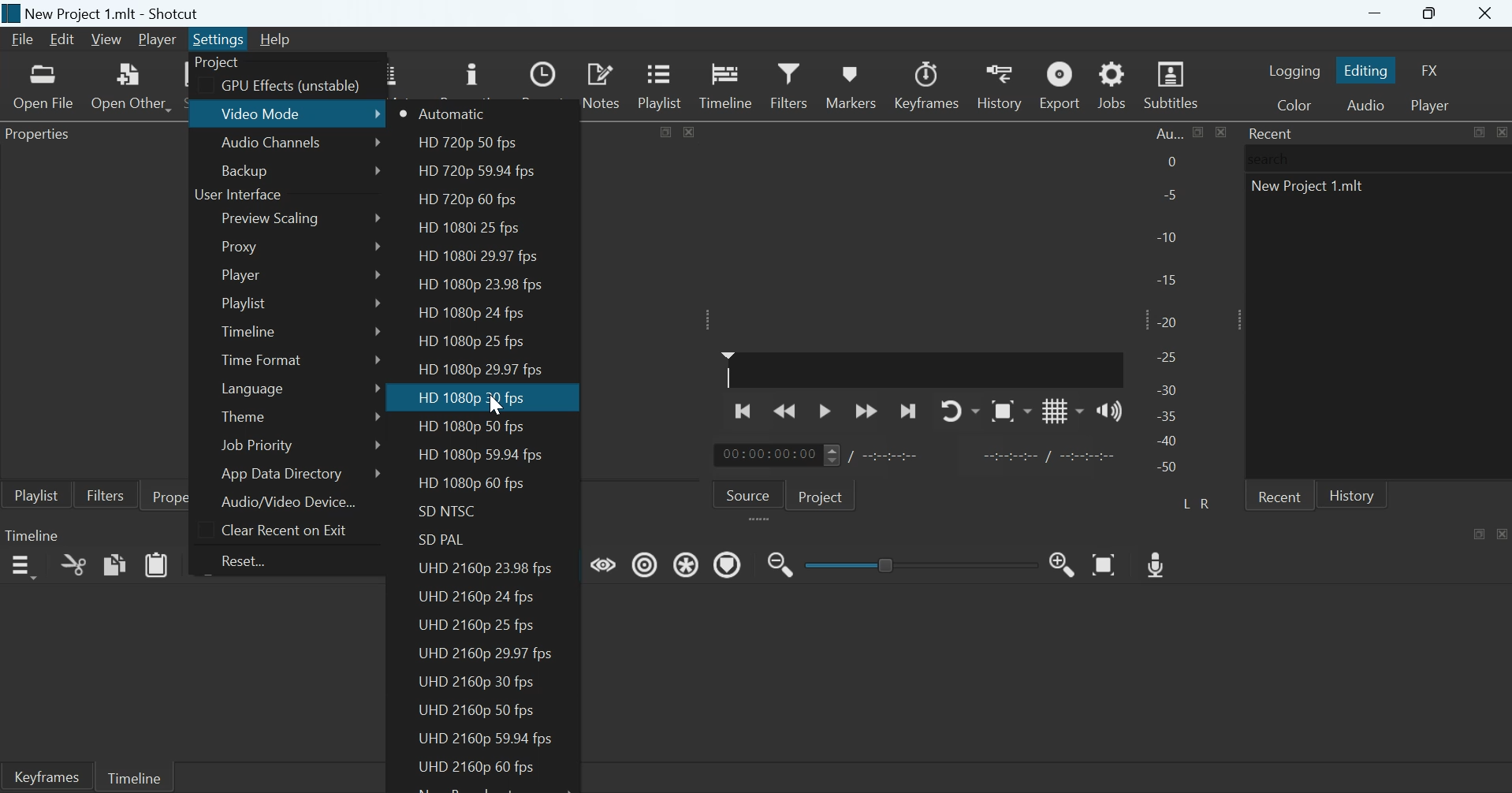  Describe the element at coordinates (1294, 104) in the screenshot. I see `switch to the Color layout` at that location.